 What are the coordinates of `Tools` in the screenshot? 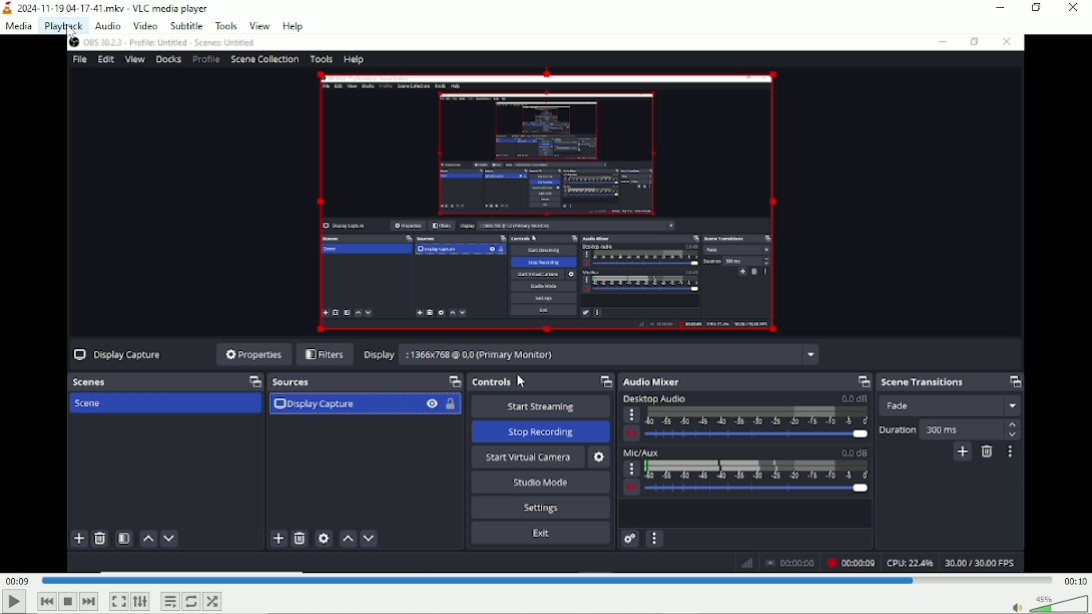 It's located at (226, 26).